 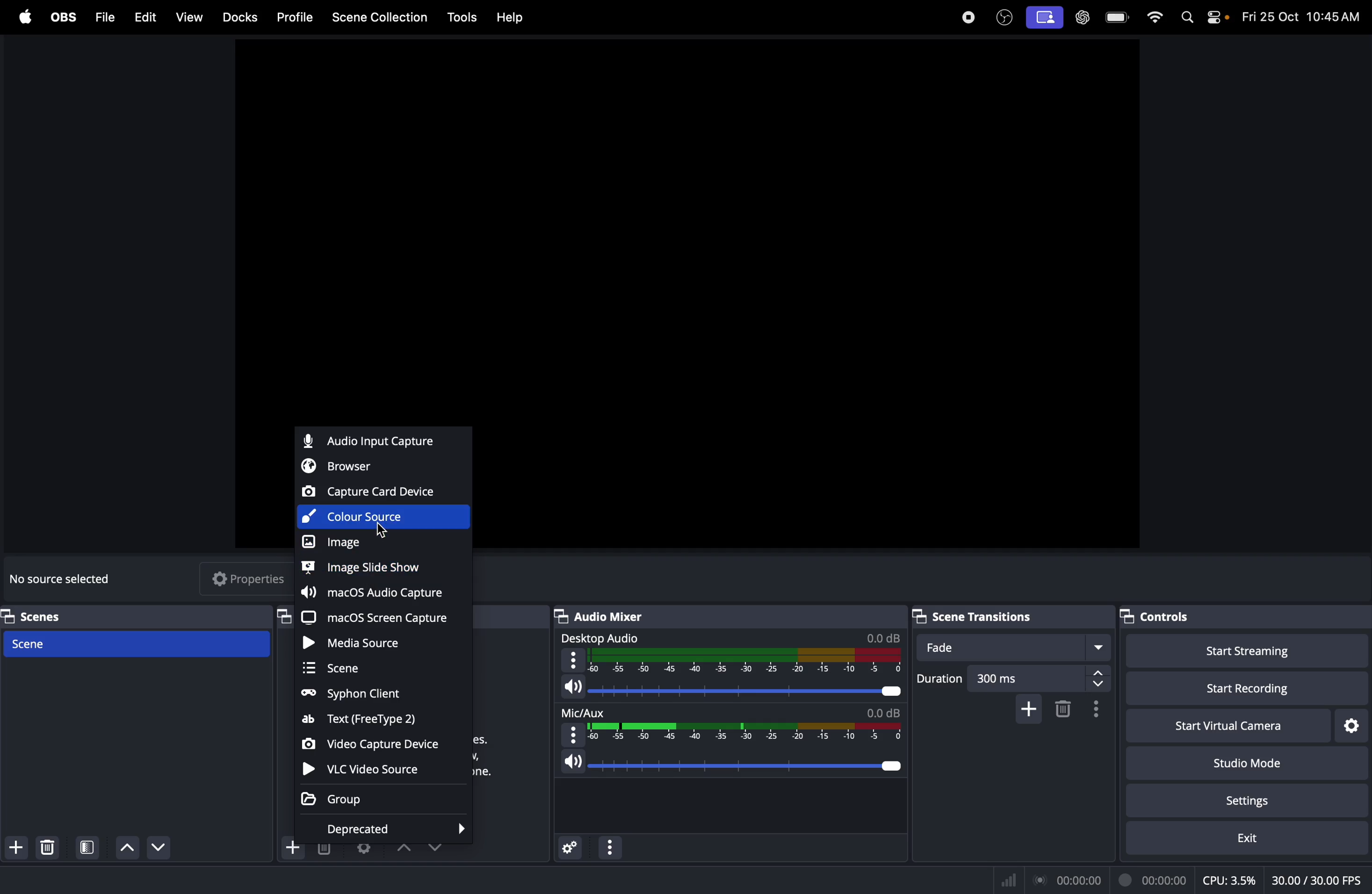 What do you see at coordinates (734, 756) in the screenshot?
I see `speaker level` at bounding box center [734, 756].